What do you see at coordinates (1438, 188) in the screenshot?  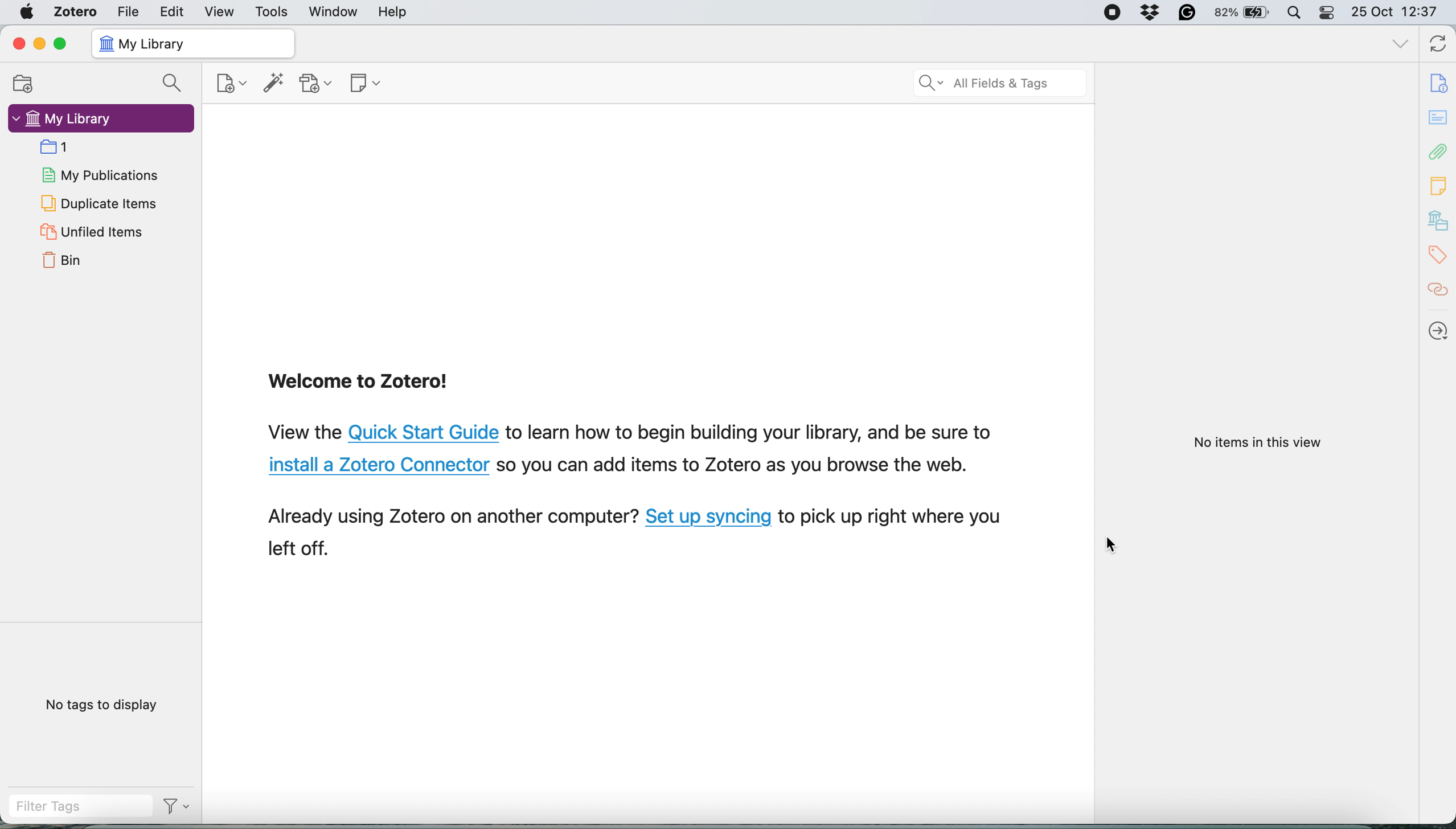 I see `note` at bounding box center [1438, 188].